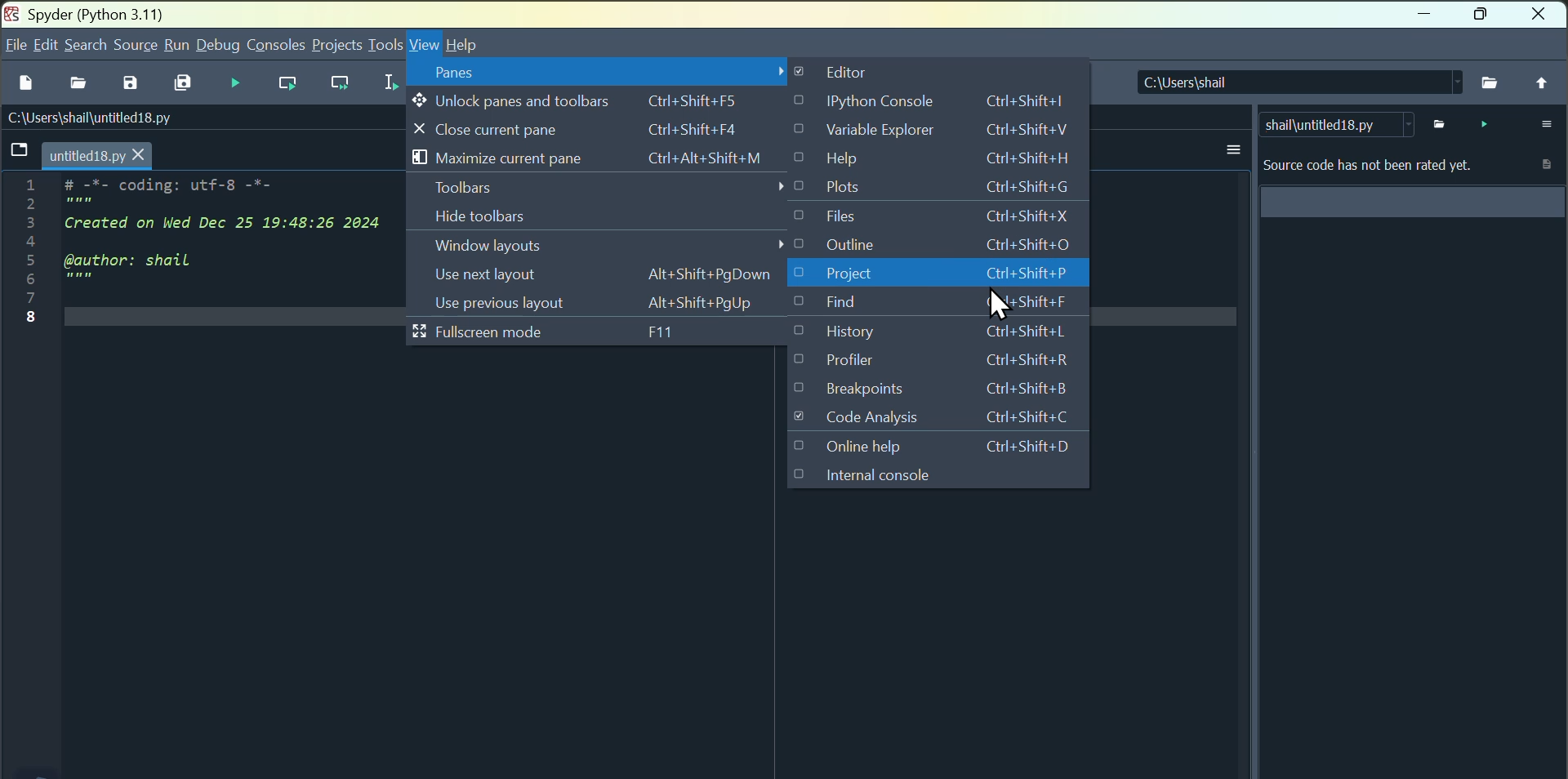 The width and height of the screenshot is (1568, 779). I want to click on Code analysis, so click(929, 420).